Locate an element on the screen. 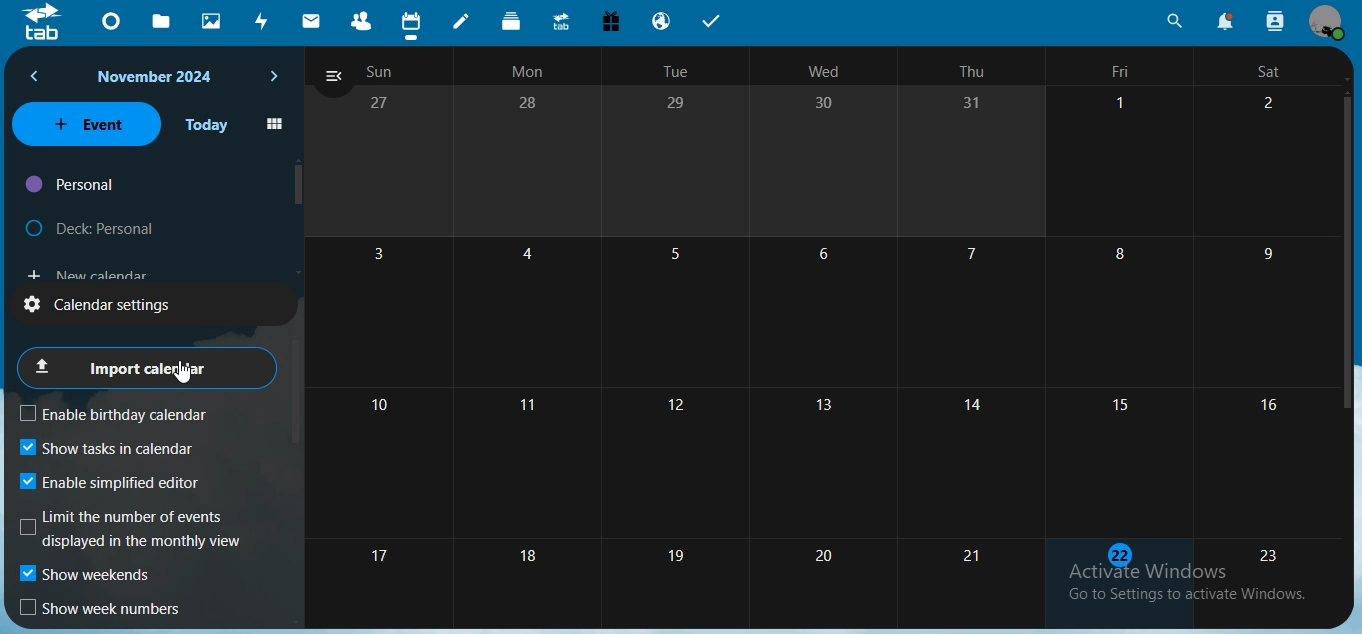 This screenshot has width=1362, height=634. limit the number of events displayed in the monthly view is located at coordinates (134, 529).